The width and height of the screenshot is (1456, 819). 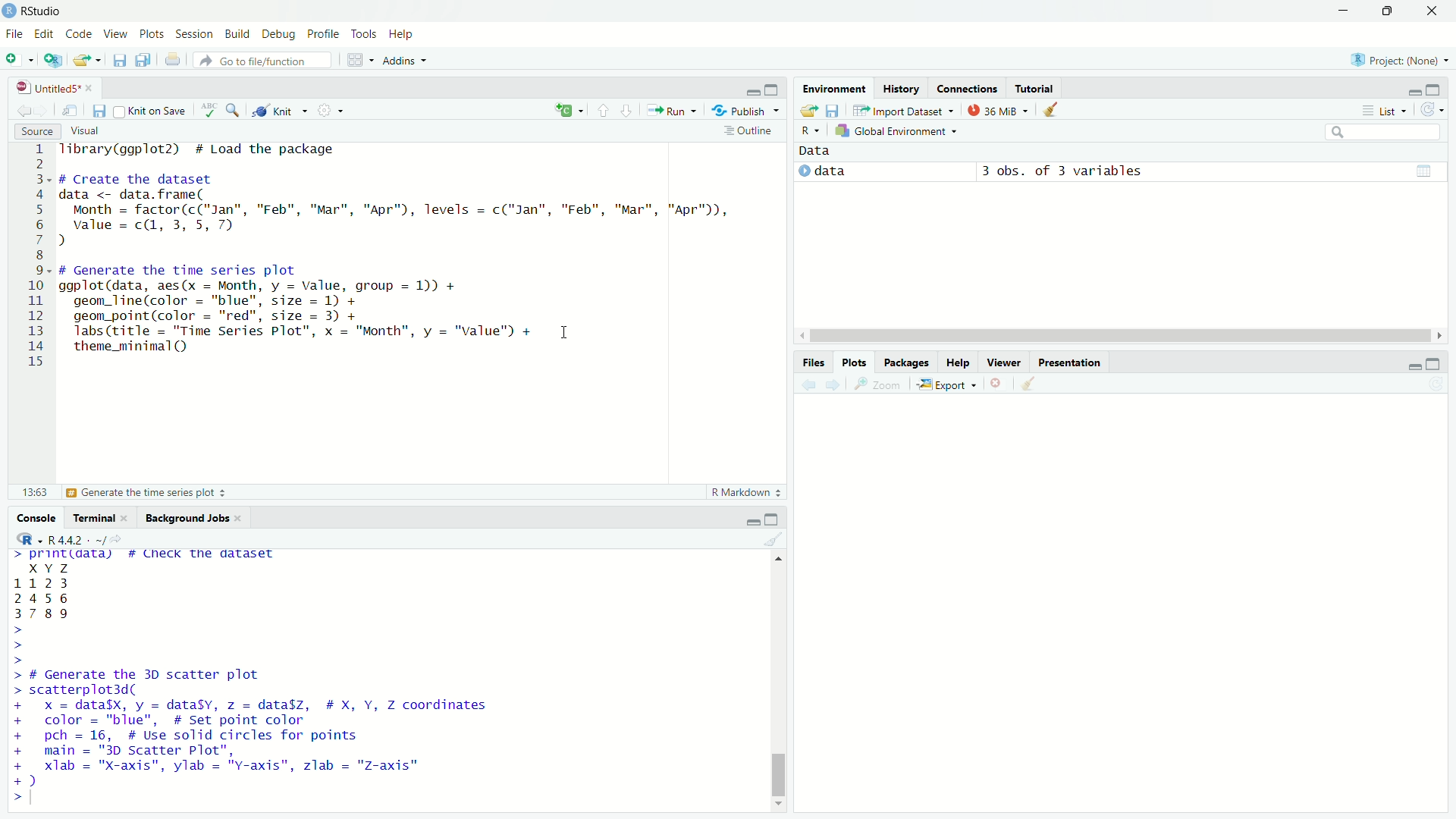 What do you see at coordinates (773, 540) in the screenshot?
I see `clear console` at bounding box center [773, 540].